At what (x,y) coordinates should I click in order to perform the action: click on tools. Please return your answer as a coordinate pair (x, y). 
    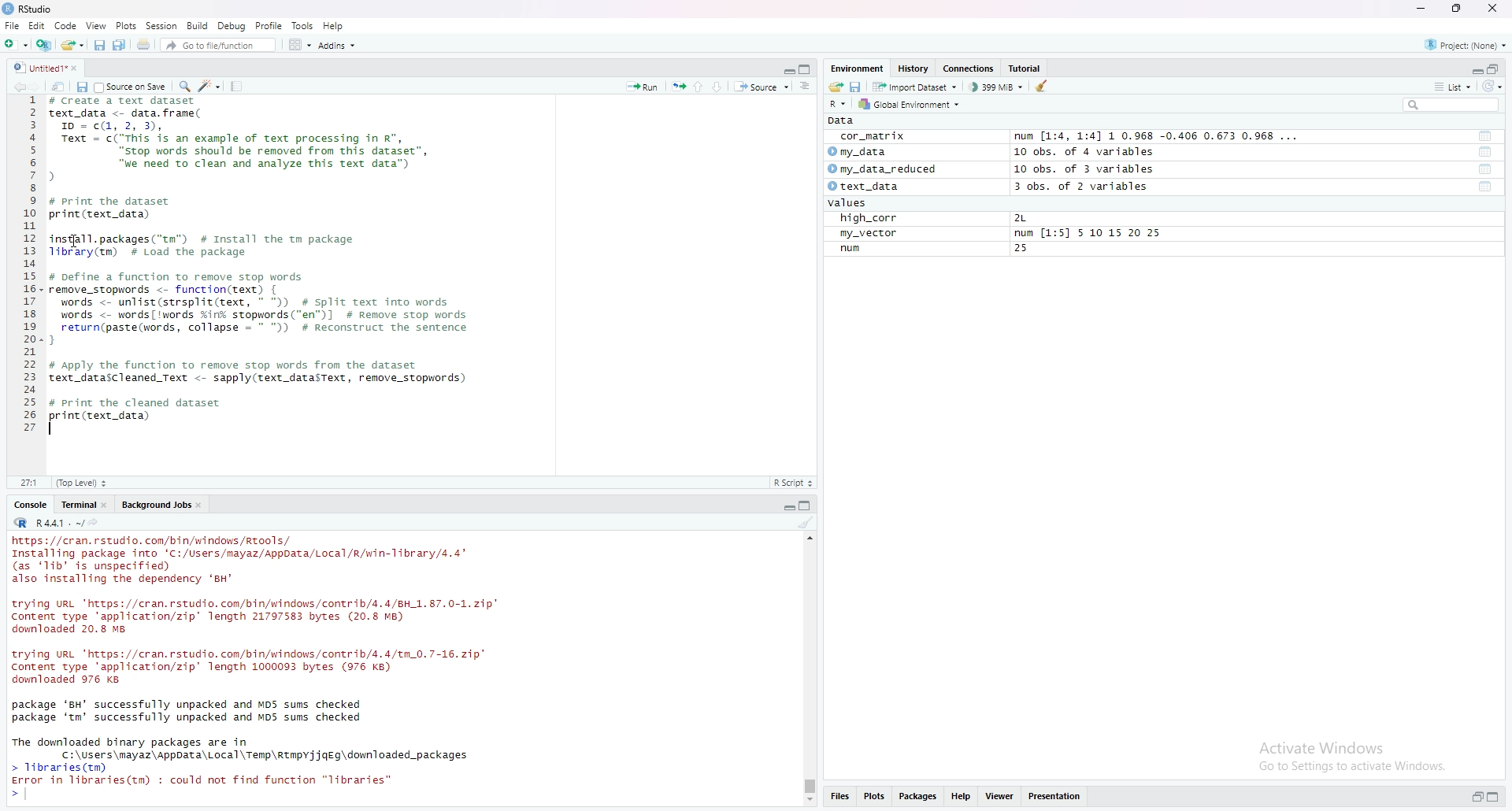
    Looking at the image, I should click on (304, 26).